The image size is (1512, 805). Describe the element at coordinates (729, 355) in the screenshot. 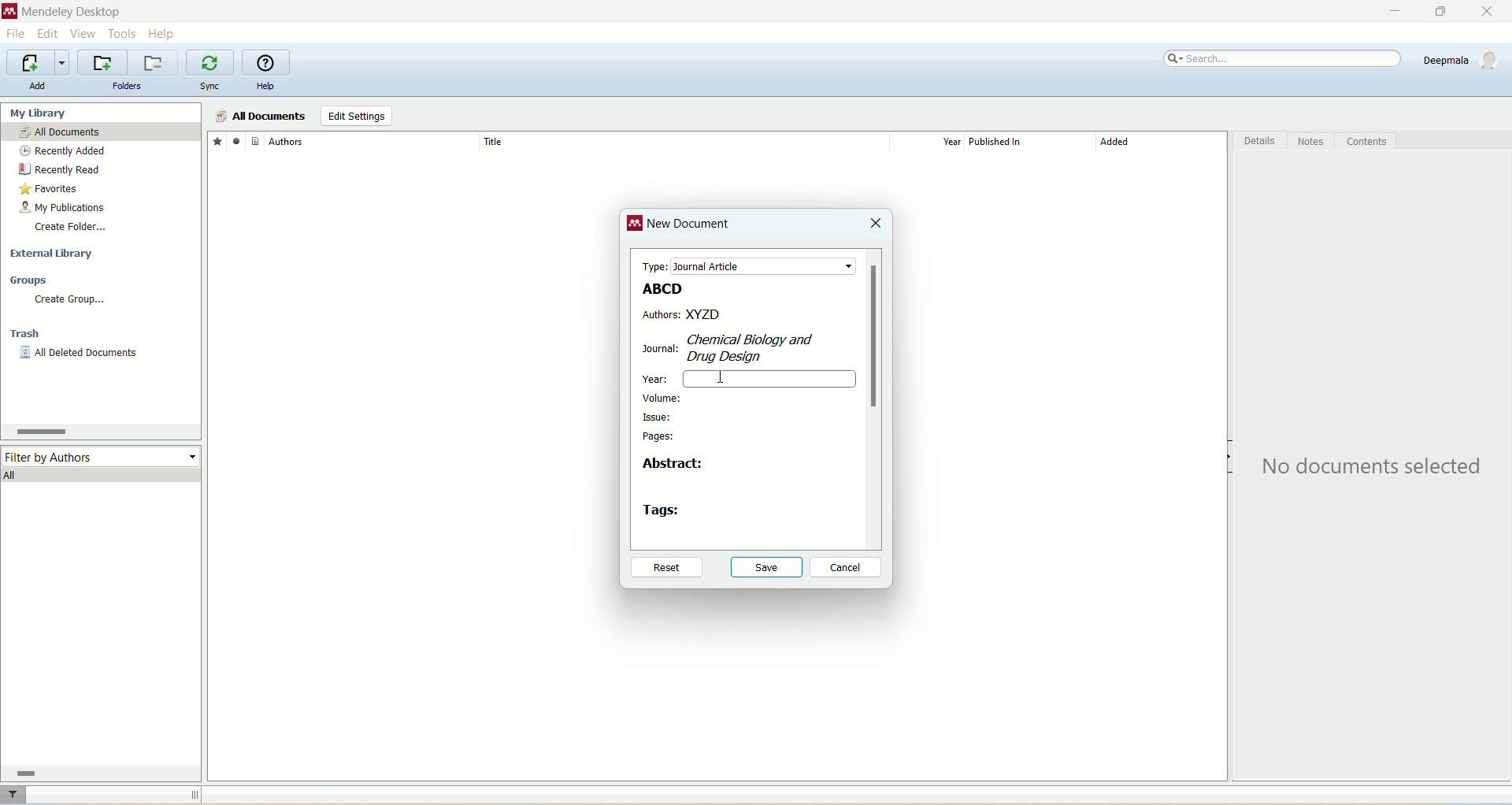

I see `Desigr` at that location.